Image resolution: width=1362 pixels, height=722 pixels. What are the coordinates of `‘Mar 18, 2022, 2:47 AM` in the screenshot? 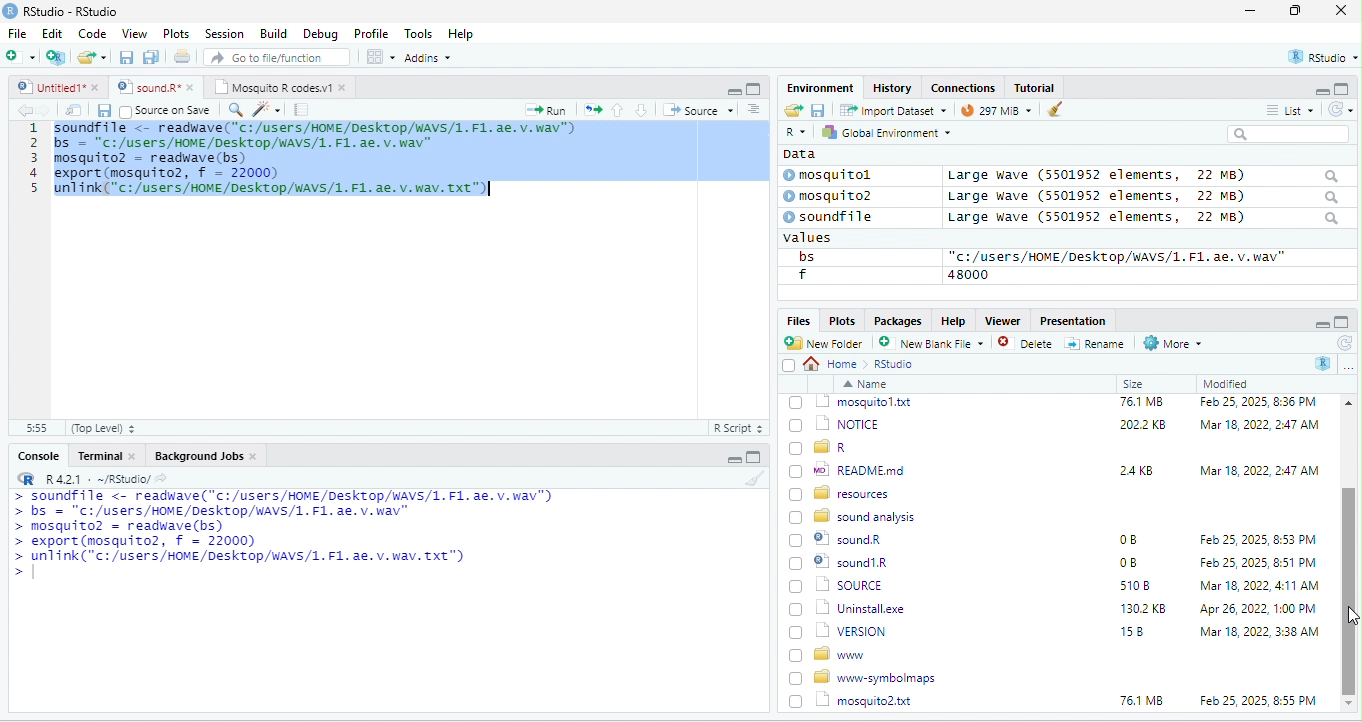 It's located at (1258, 544).